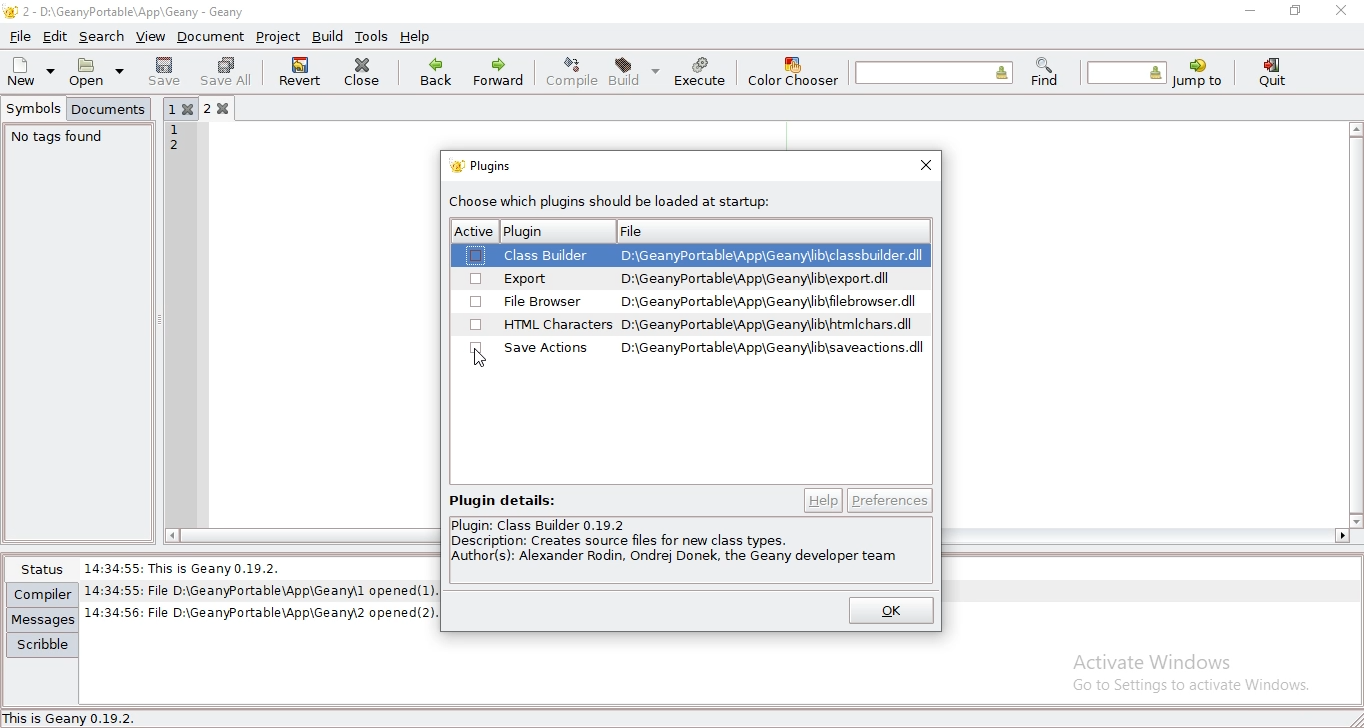 This screenshot has width=1364, height=728. Describe the element at coordinates (616, 203) in the screenshot. I see `choose which plugin should be loaded at startup.` at that location.